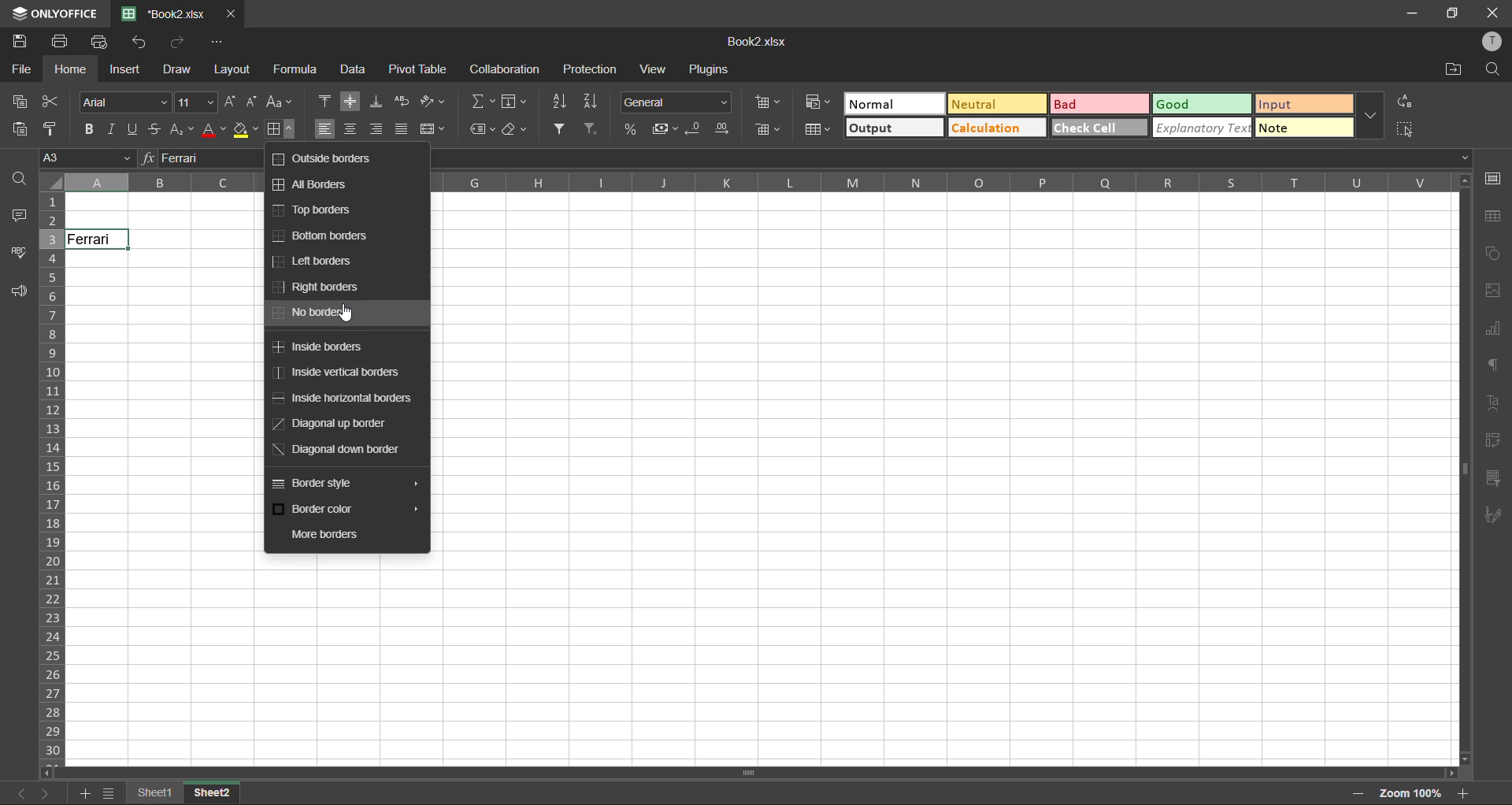  I want to click on check cell, so click(1100, 127).